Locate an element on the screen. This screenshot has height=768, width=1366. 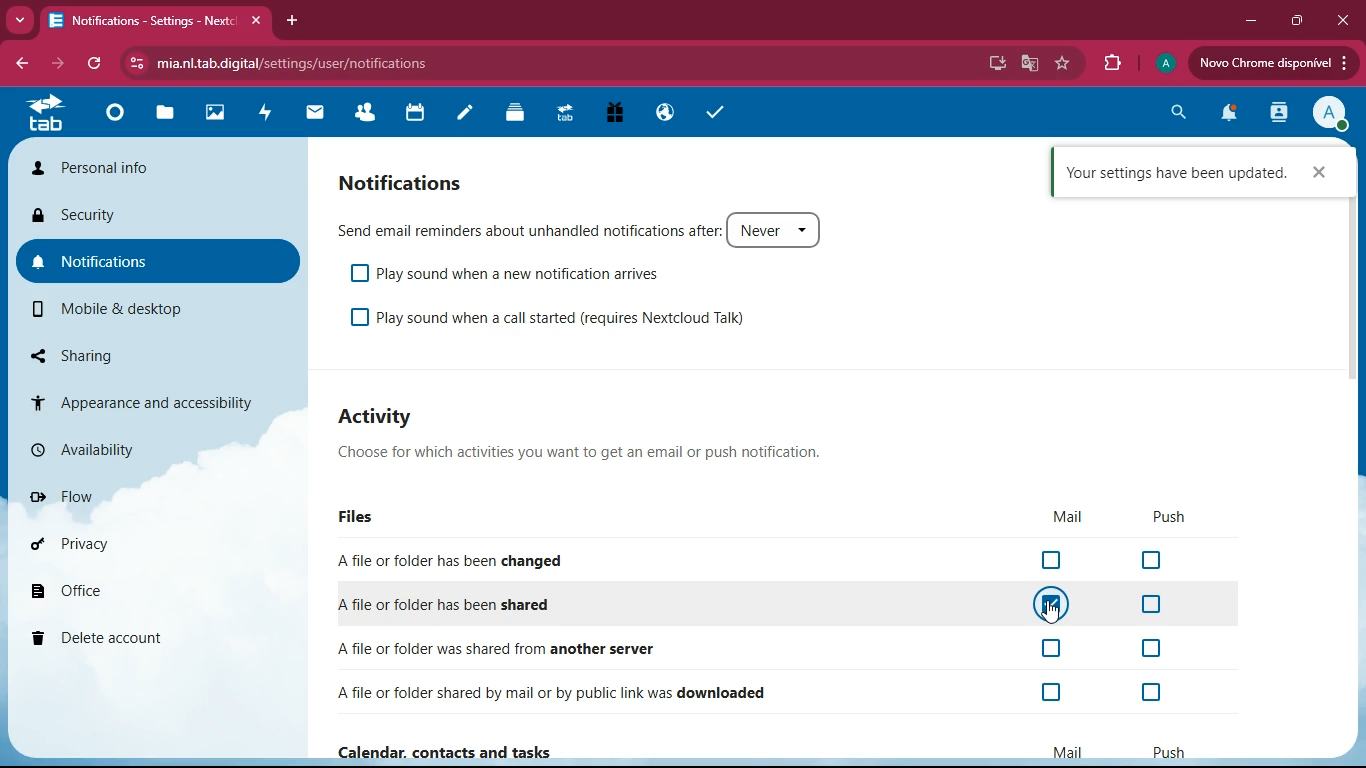
off is located at coordinates (1154, 560).